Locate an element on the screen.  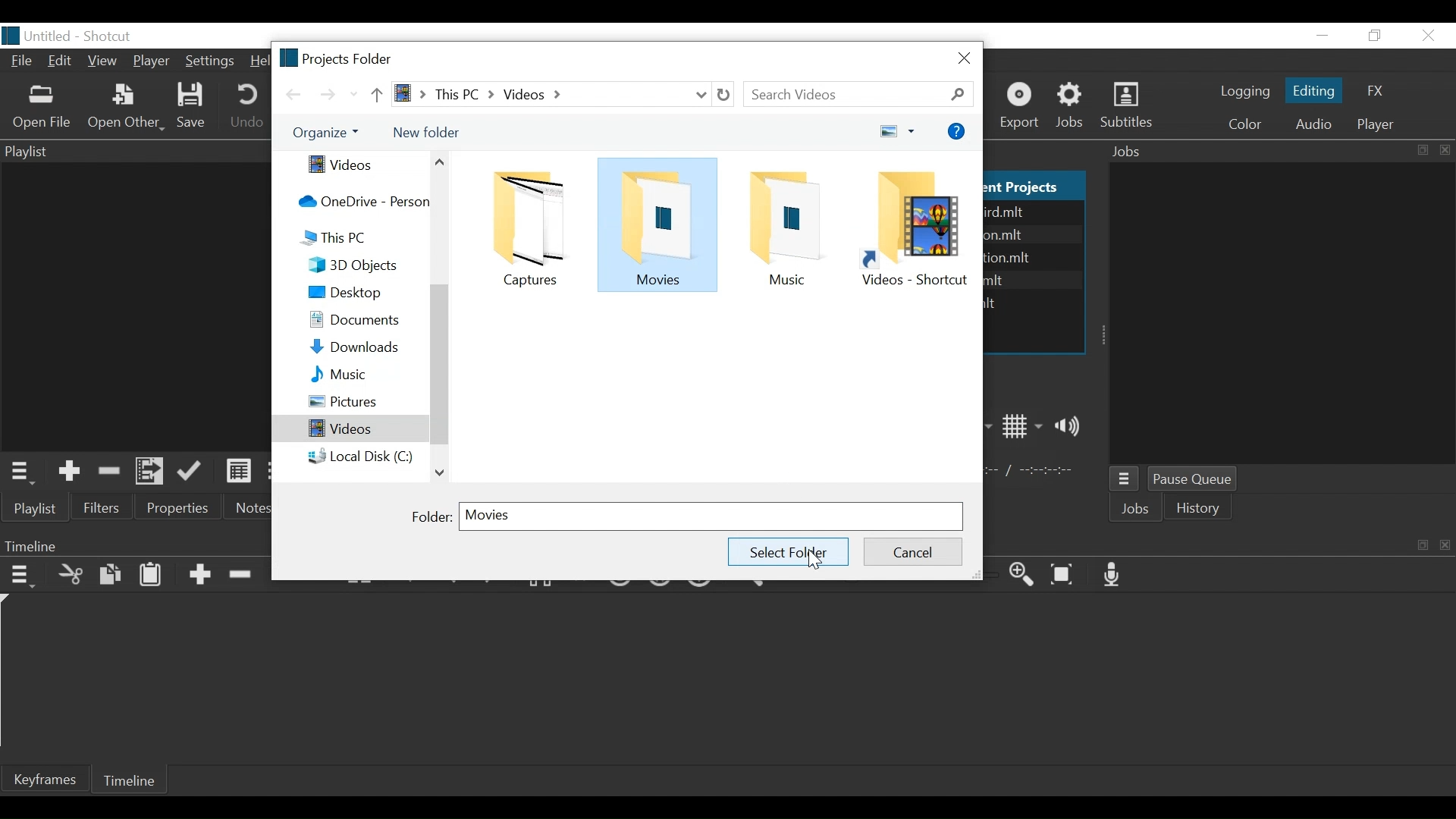
Timeline is located at coordinates (133, 779).